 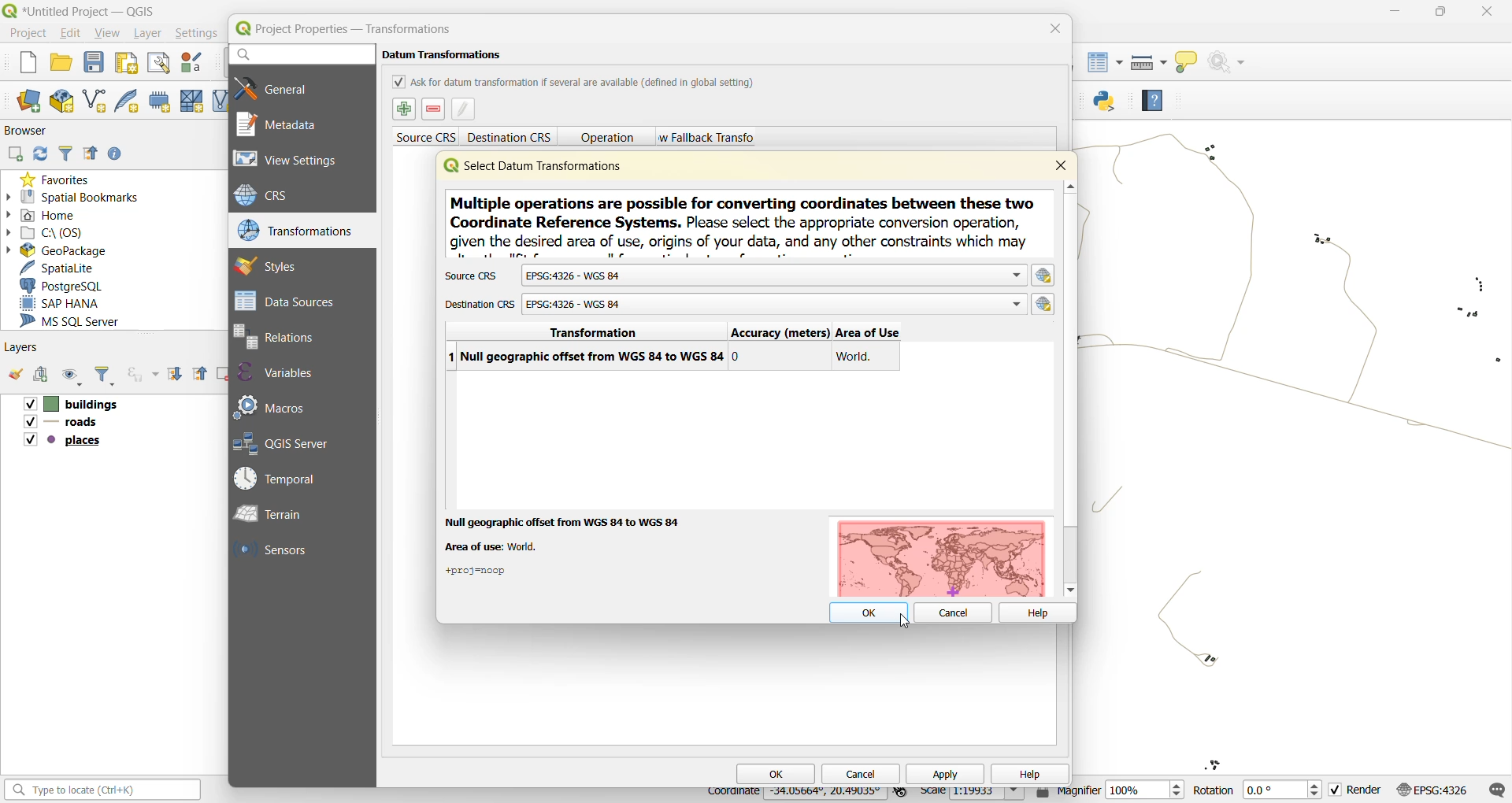 I want to click on postgresql, so click(x=66, y=287).